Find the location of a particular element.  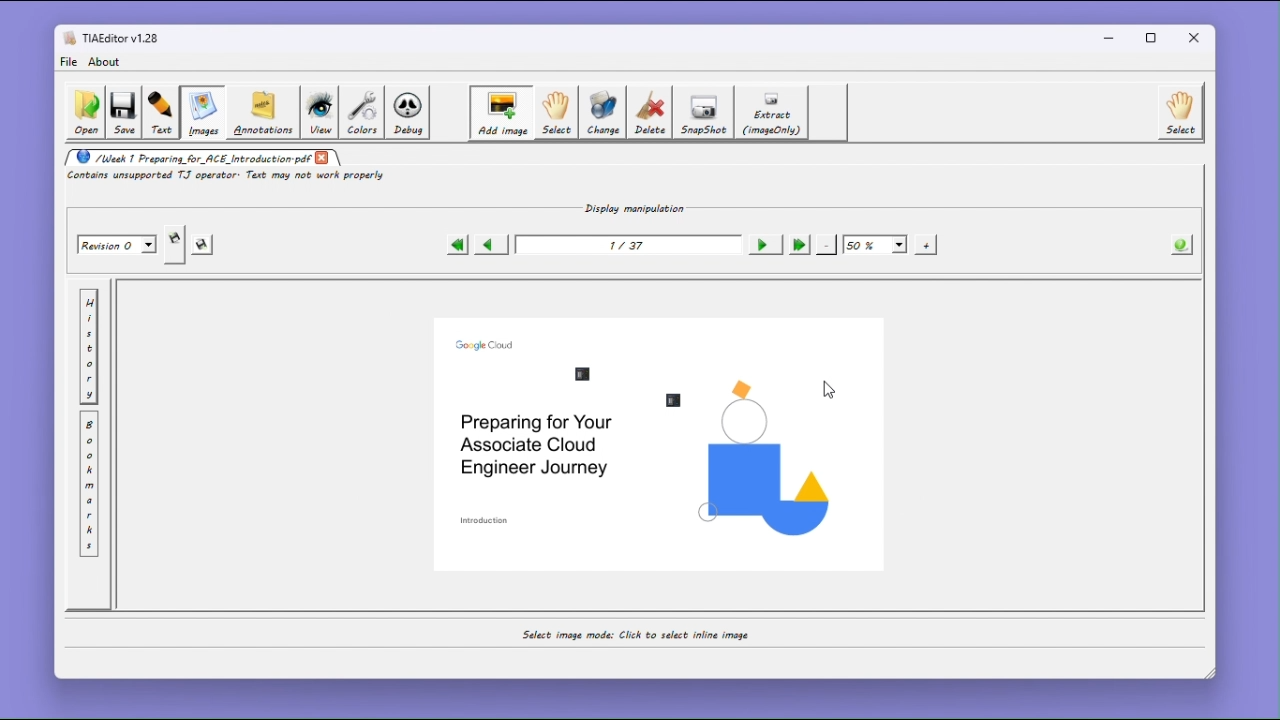

Open is located at coordinates (84, 113).